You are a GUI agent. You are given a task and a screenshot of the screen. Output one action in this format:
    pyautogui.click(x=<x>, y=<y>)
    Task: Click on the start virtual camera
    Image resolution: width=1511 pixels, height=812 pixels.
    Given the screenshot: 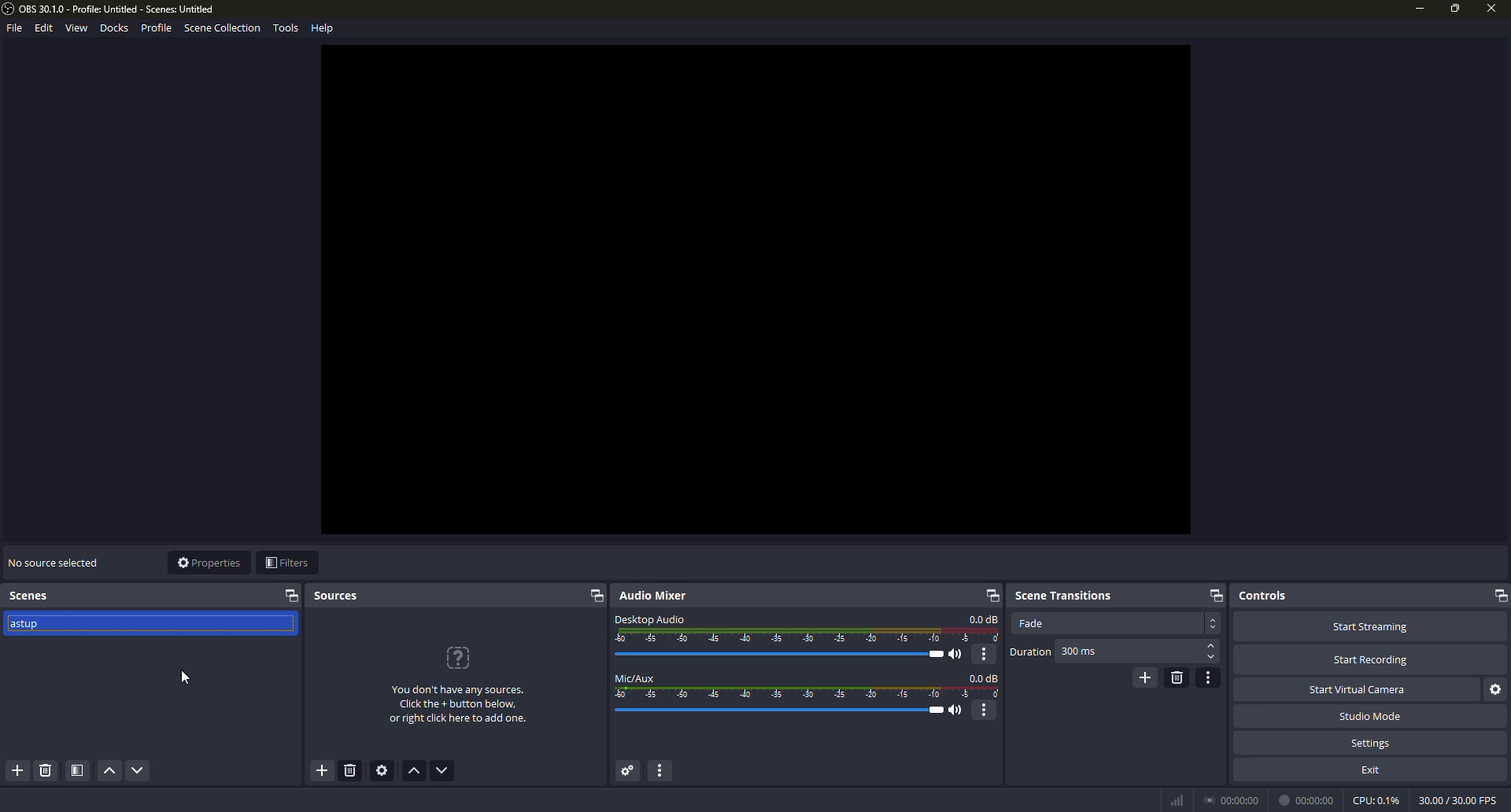 What is the action you would take?
    pyautogui.click(x=1361, y=688)
    